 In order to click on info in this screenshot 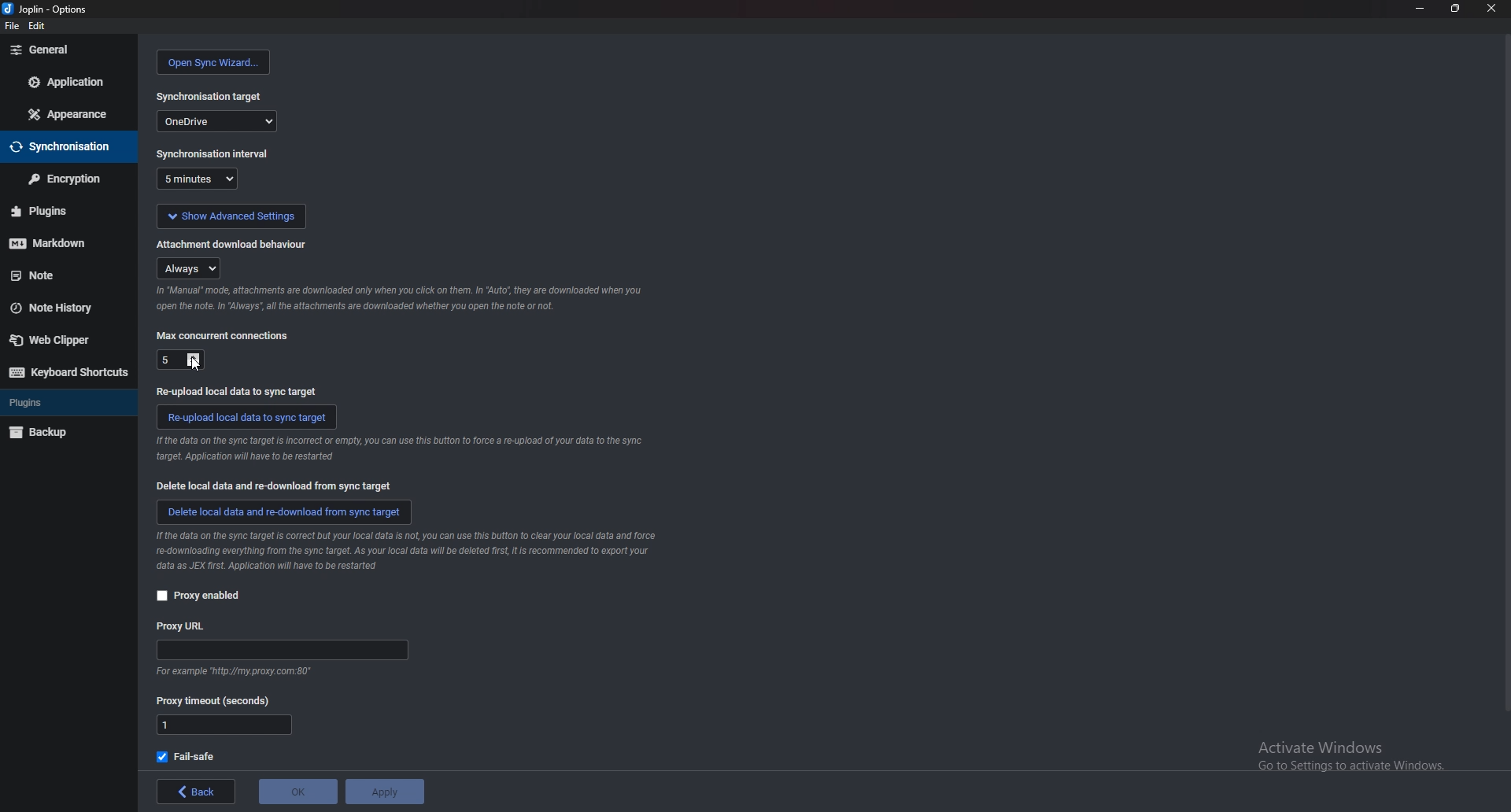, I will do `click(399, 449)`.